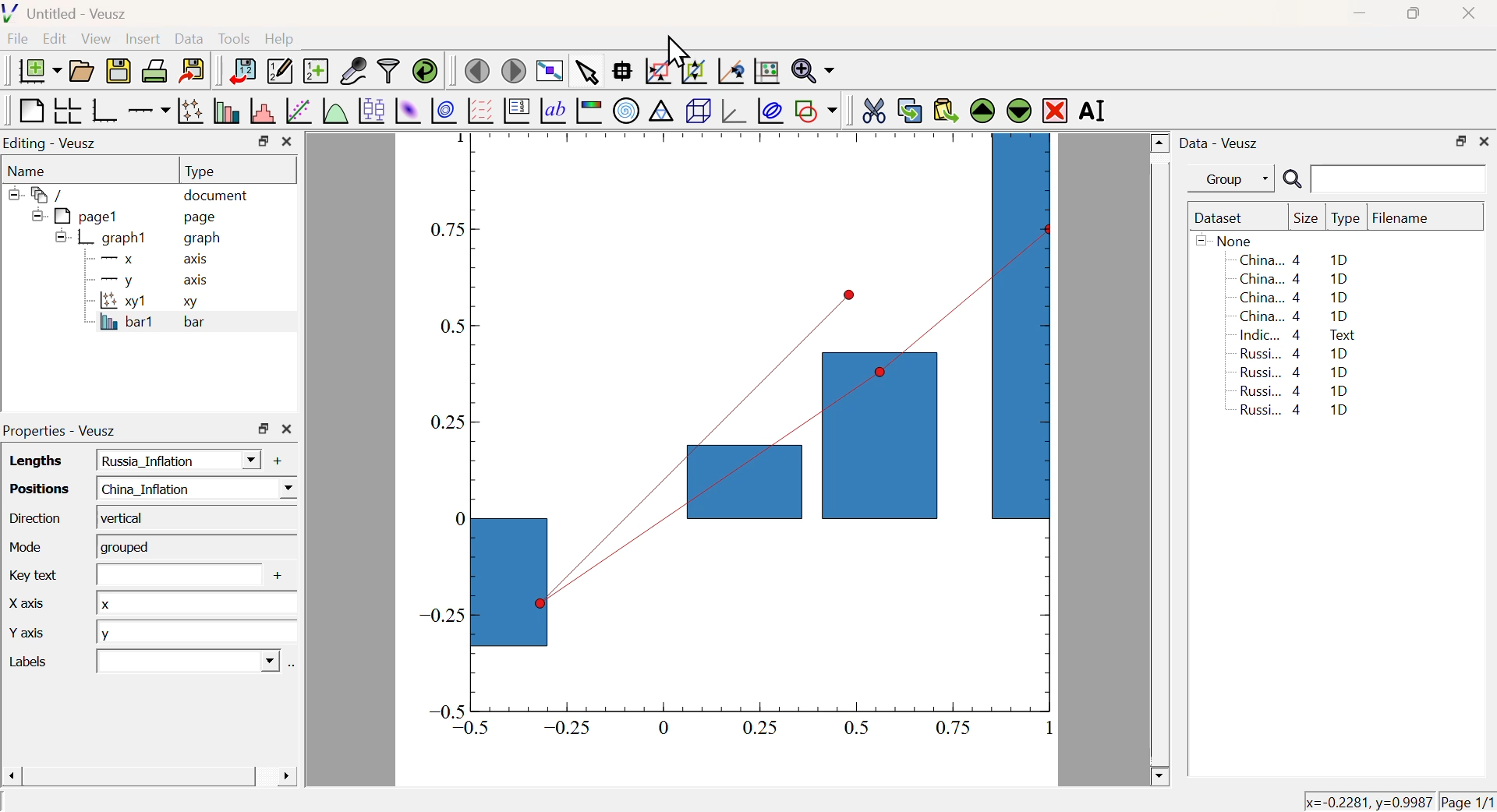 This screenshot has height=812, width=1497. What do you see at coordinates (217, 197) in the screenshot?
I see `document` at bounding box center [217, 197].